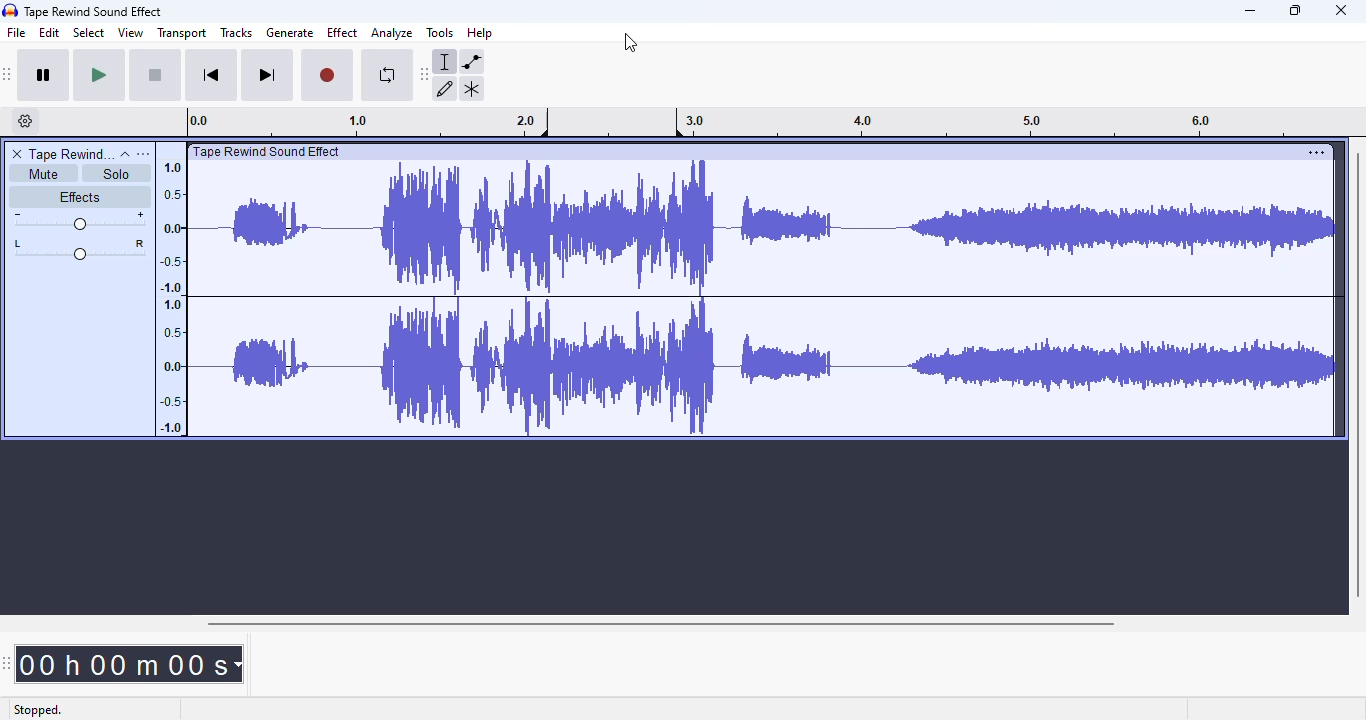  Describe the element at coordinates (128, 663) in the screenshot. I see `00 h 00 m 00 s` at that location.